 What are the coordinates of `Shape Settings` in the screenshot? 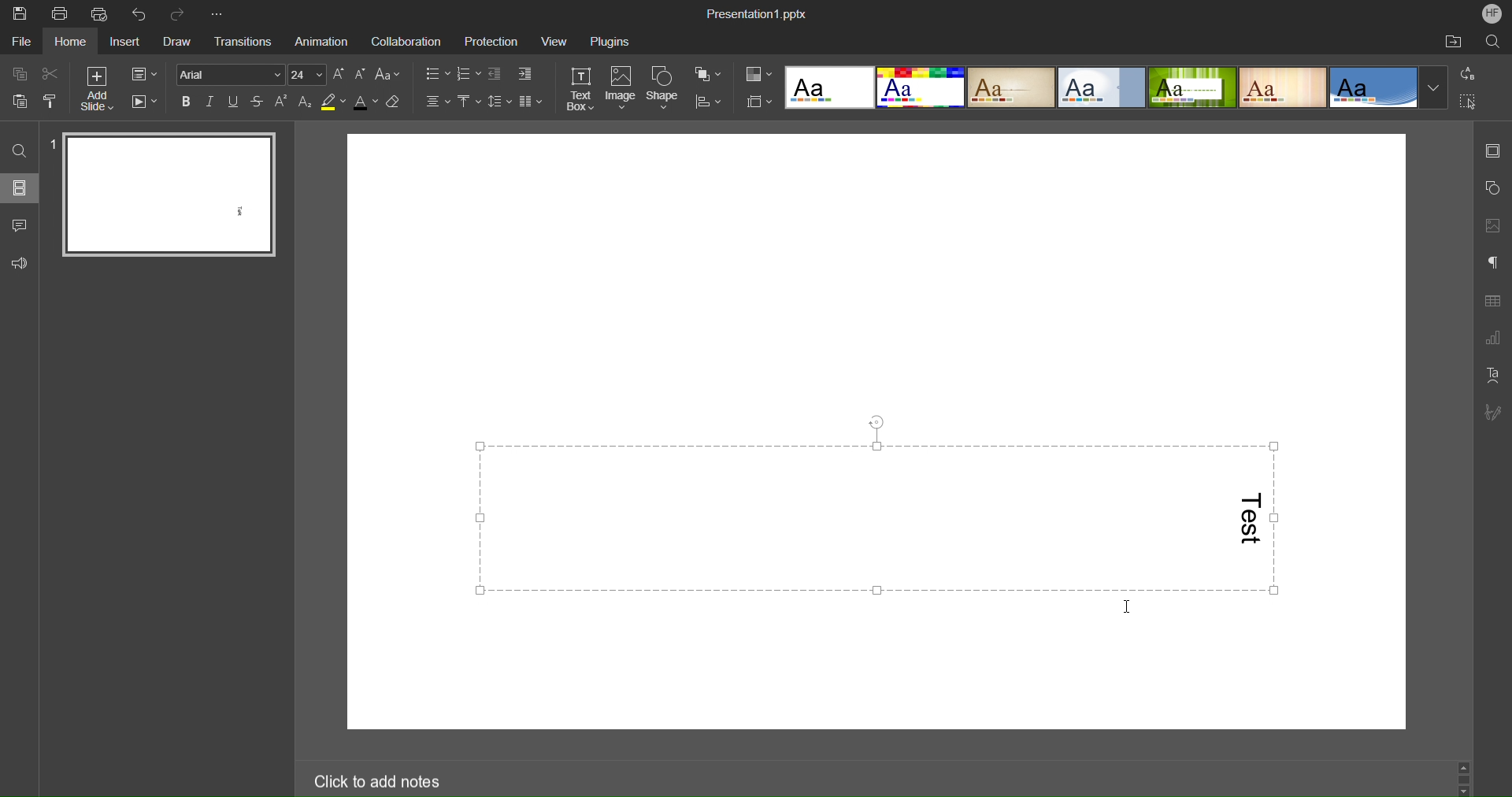 It's located at (1492, 188).